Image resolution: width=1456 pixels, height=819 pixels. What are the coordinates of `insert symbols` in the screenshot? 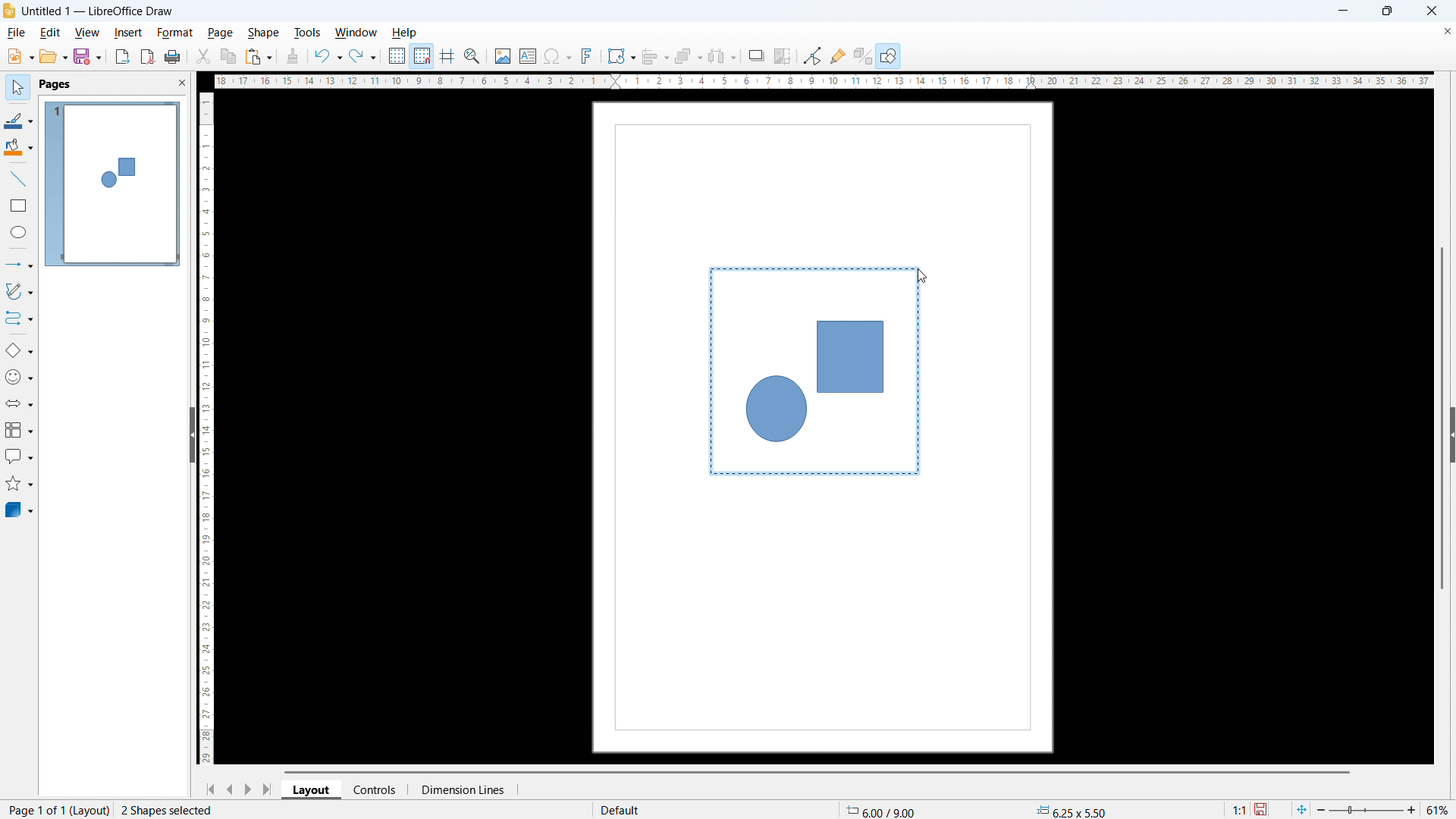 It's located at (557, 57).